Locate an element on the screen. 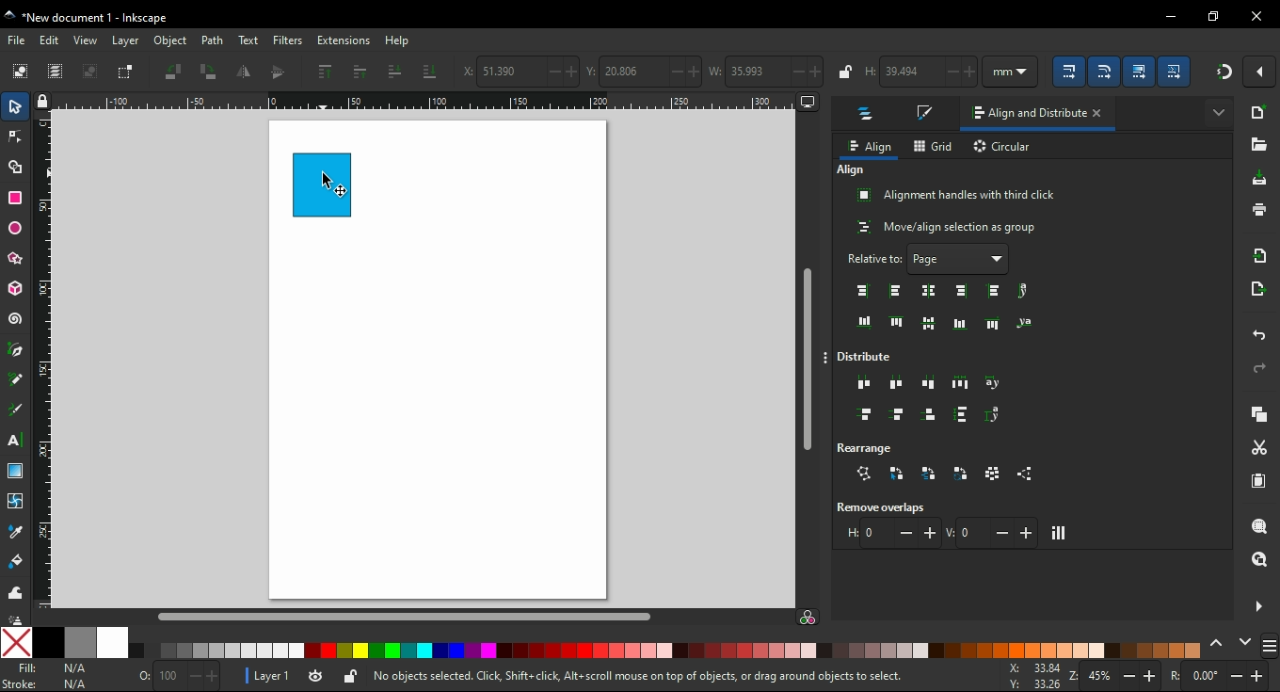 Image resolution: width=1280 pixels, height=692 pixels. zoom selection is located at coordinates (1259, 525).